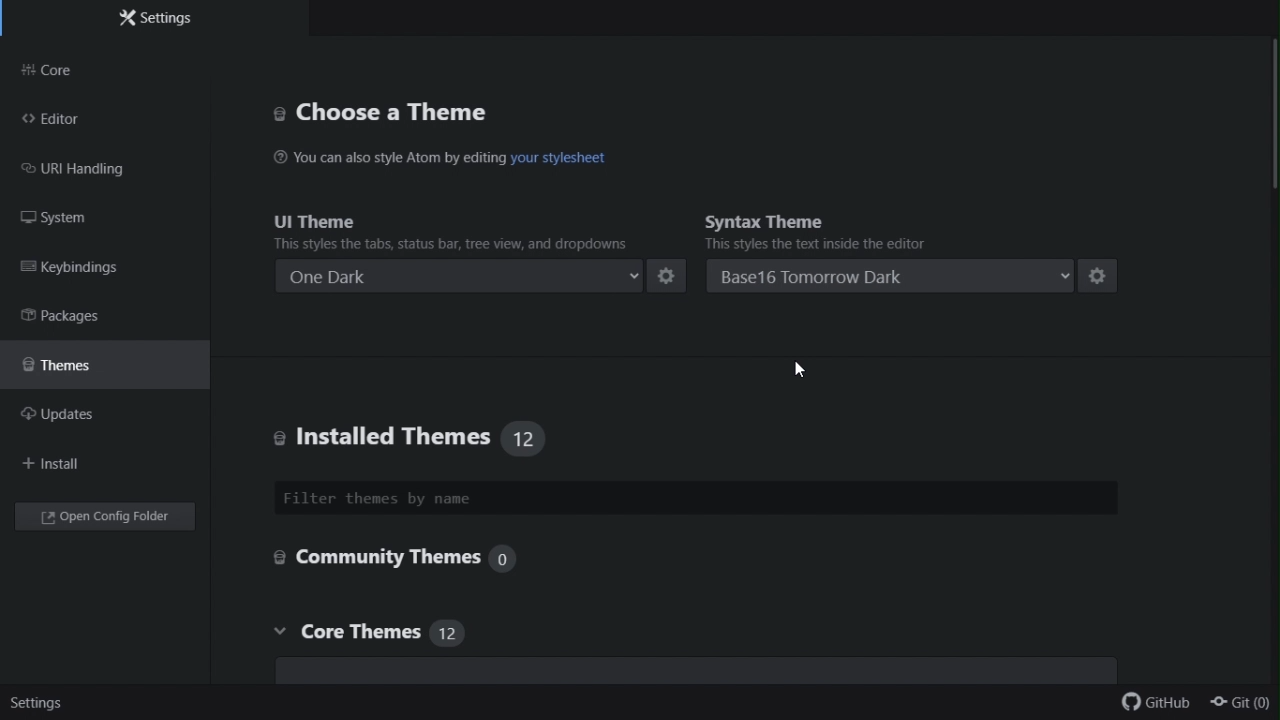 The height and width of the screenshot is (720, 1280). Describe the element at coordinates (799, 370) in the screenshot. I see `cursor` at that location.